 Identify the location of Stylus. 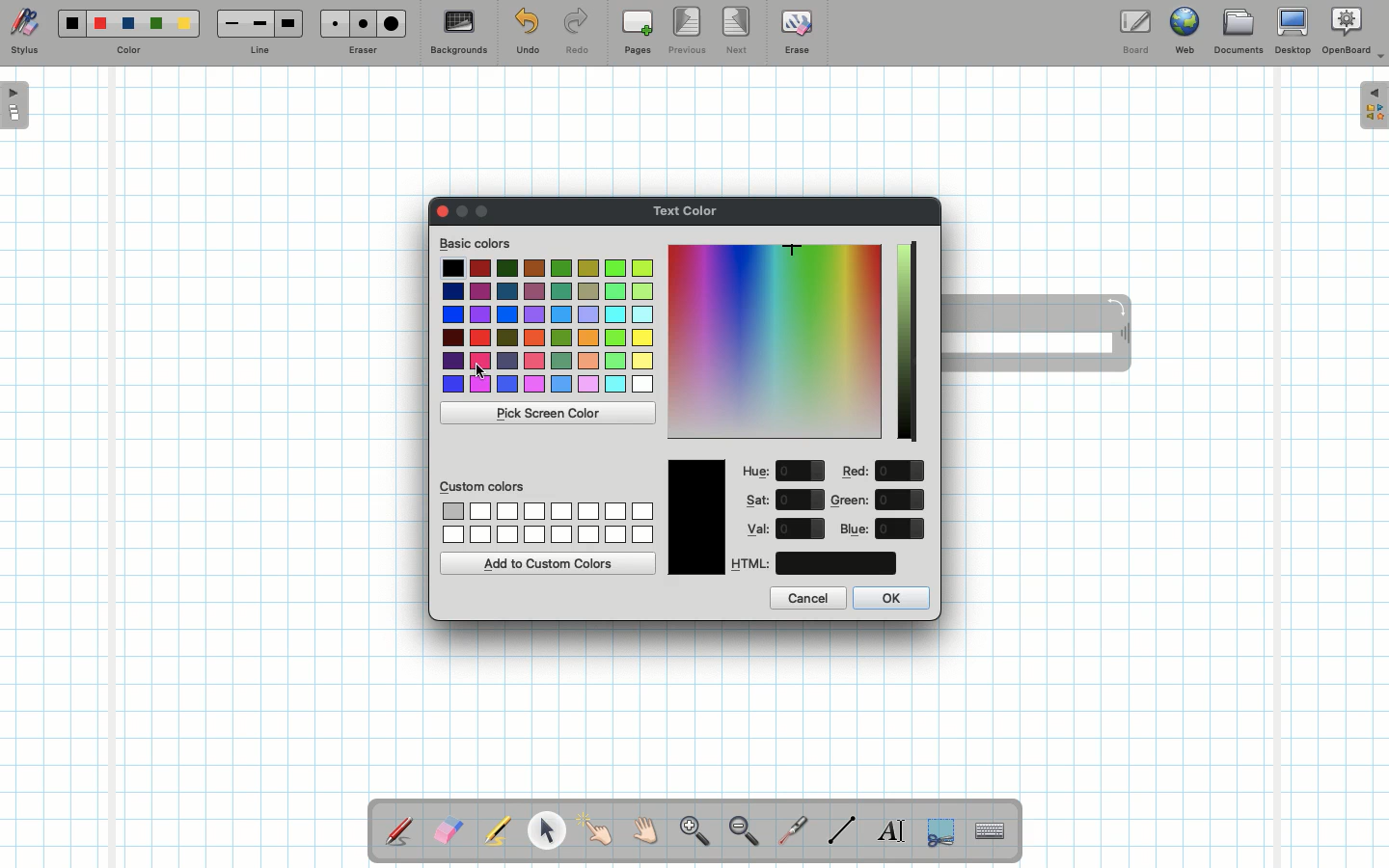
(400, 830).